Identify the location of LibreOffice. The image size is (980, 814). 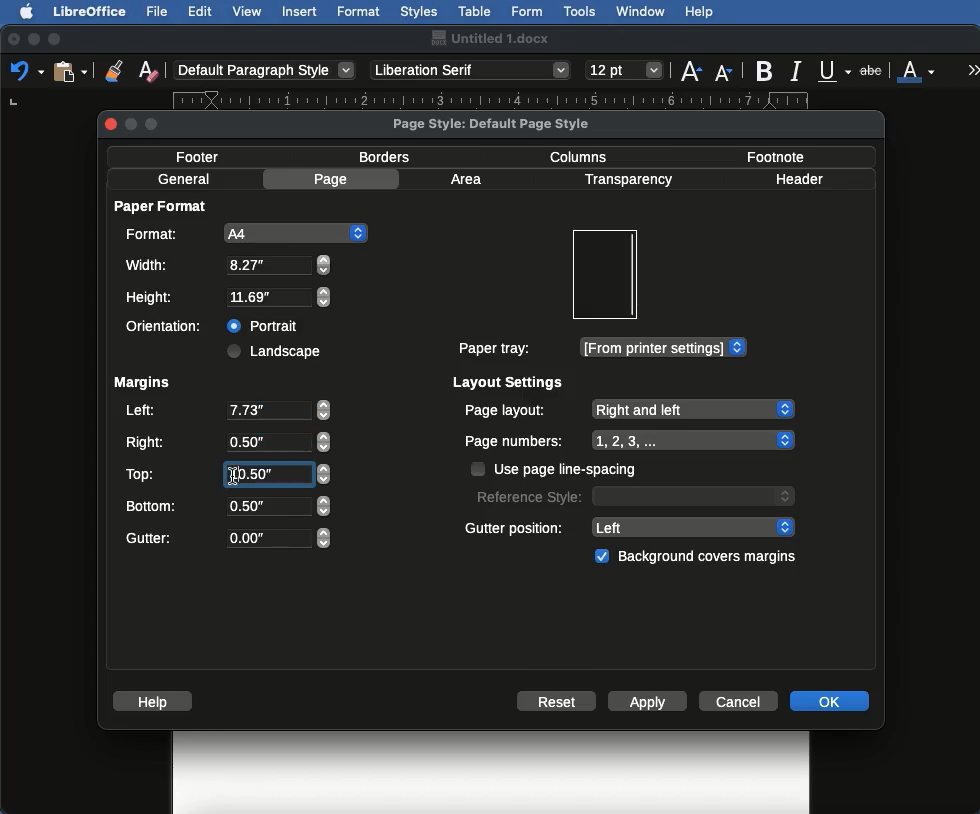
(89, 11).